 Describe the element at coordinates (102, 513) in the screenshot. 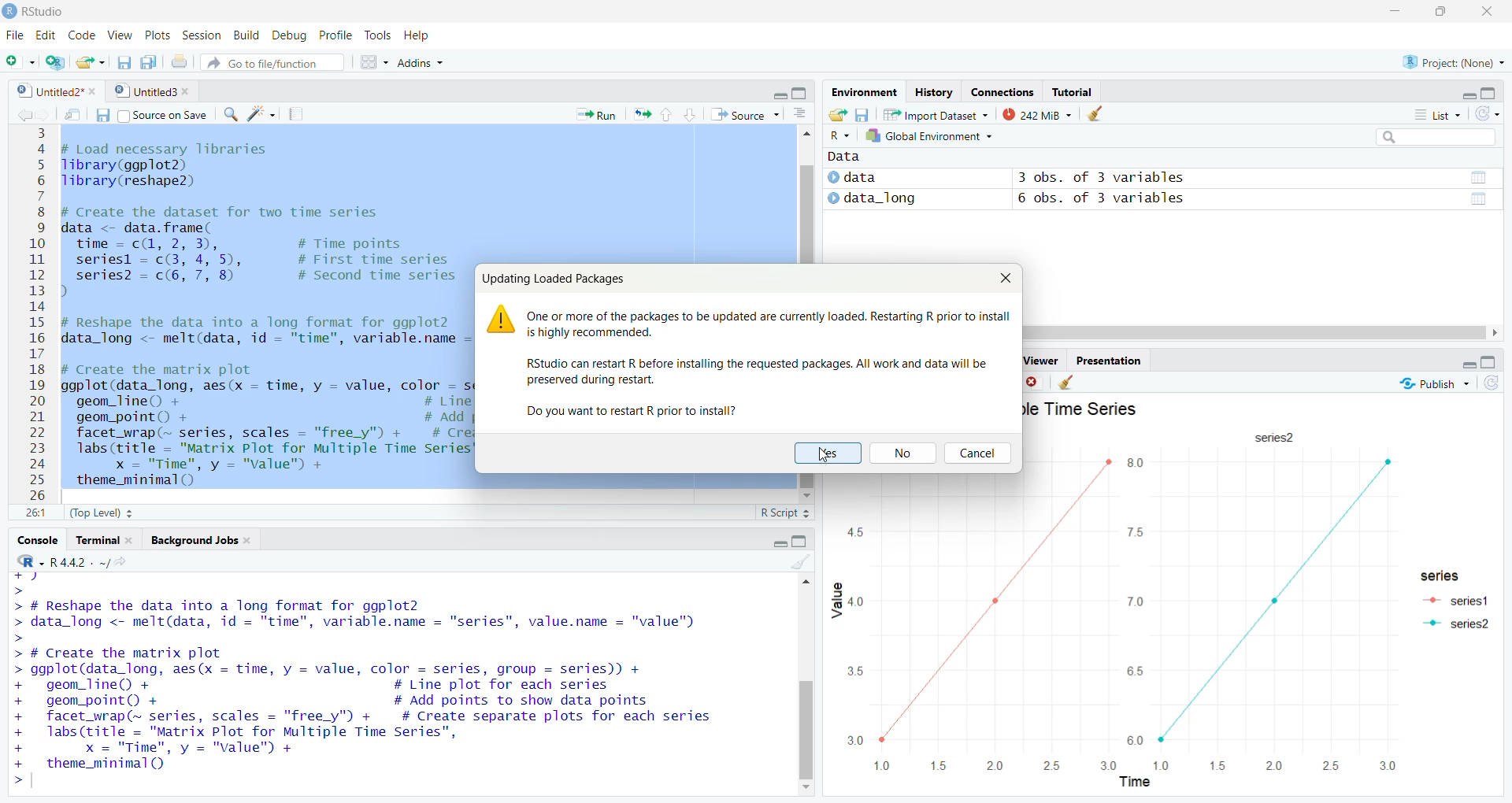

I see `(Top Level) 3` at that location.